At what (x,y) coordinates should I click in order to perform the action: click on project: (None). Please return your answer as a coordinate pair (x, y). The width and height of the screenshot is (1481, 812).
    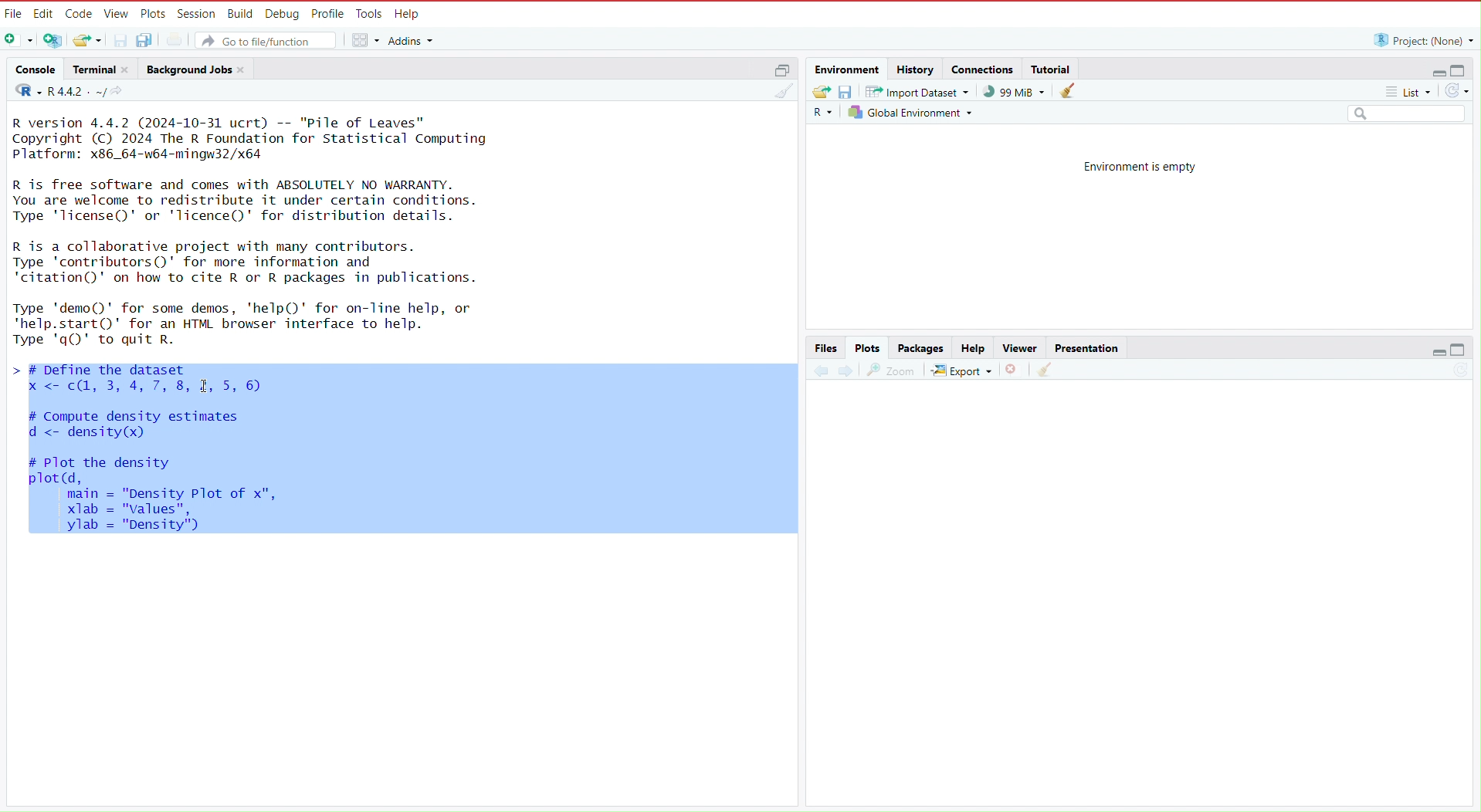
    Looking at the image, I should click on (1422, 40).